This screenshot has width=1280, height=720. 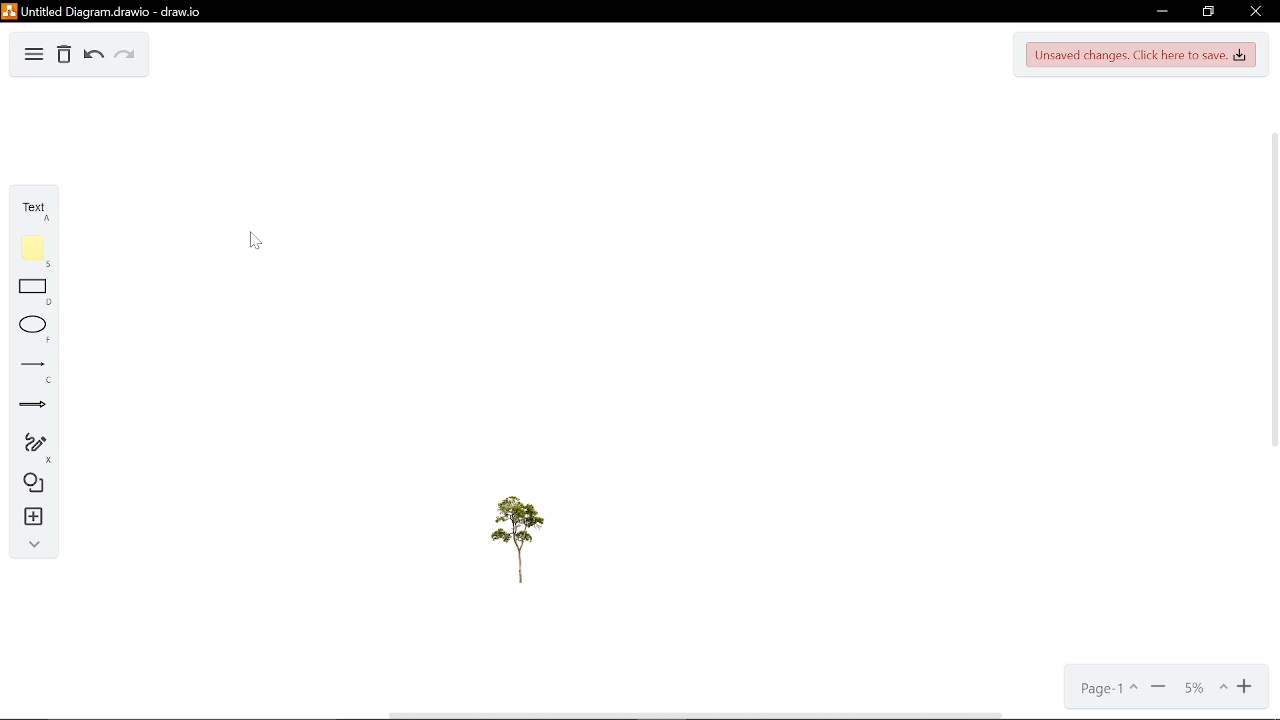 What do you see at coordinates (27, 518) in the screenshot?
I see `Insert` at bounding box center [27, 518].